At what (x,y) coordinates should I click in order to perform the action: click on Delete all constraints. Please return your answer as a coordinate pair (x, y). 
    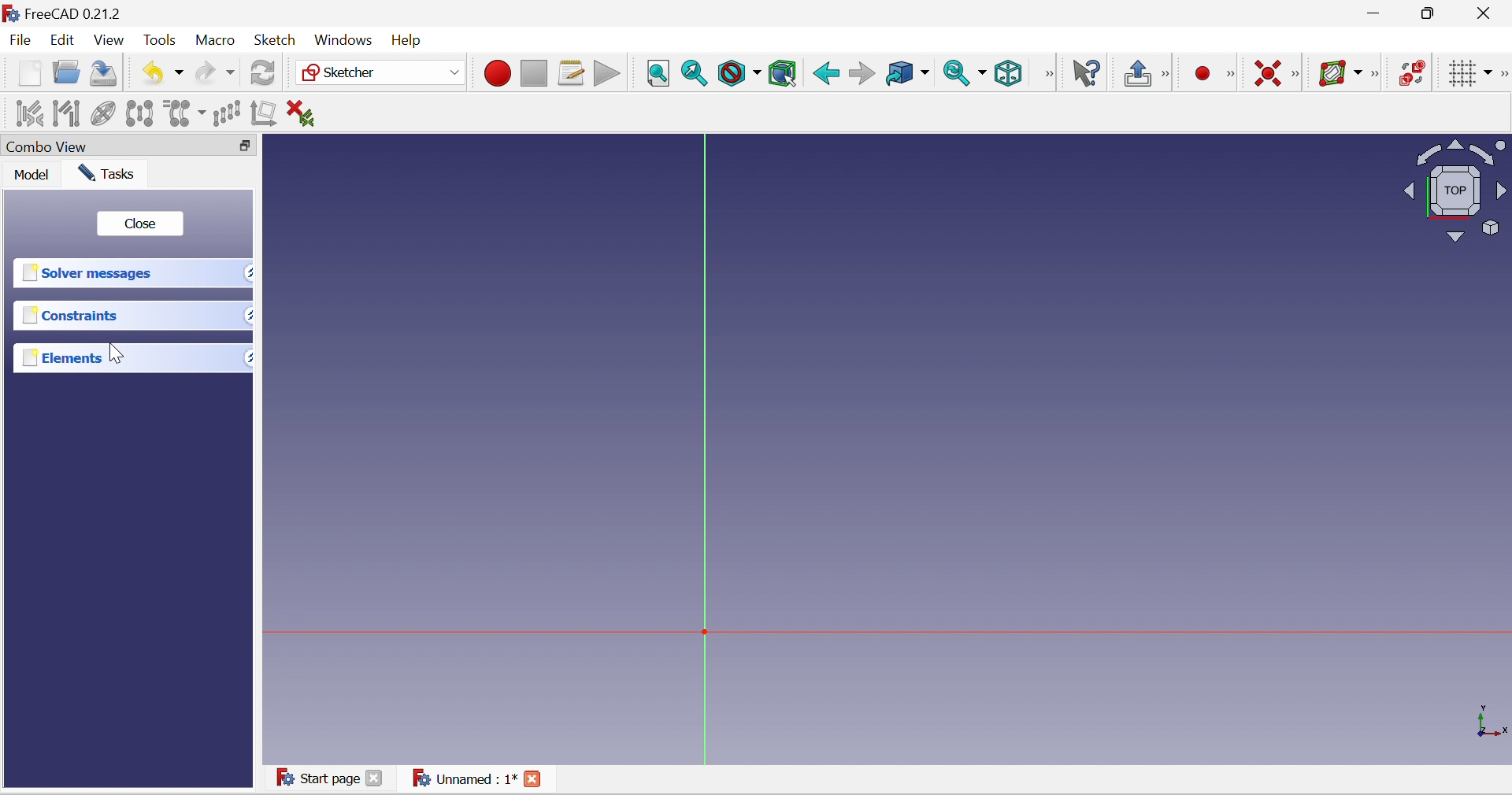
    Looking at the image, I should click on (302, 113).